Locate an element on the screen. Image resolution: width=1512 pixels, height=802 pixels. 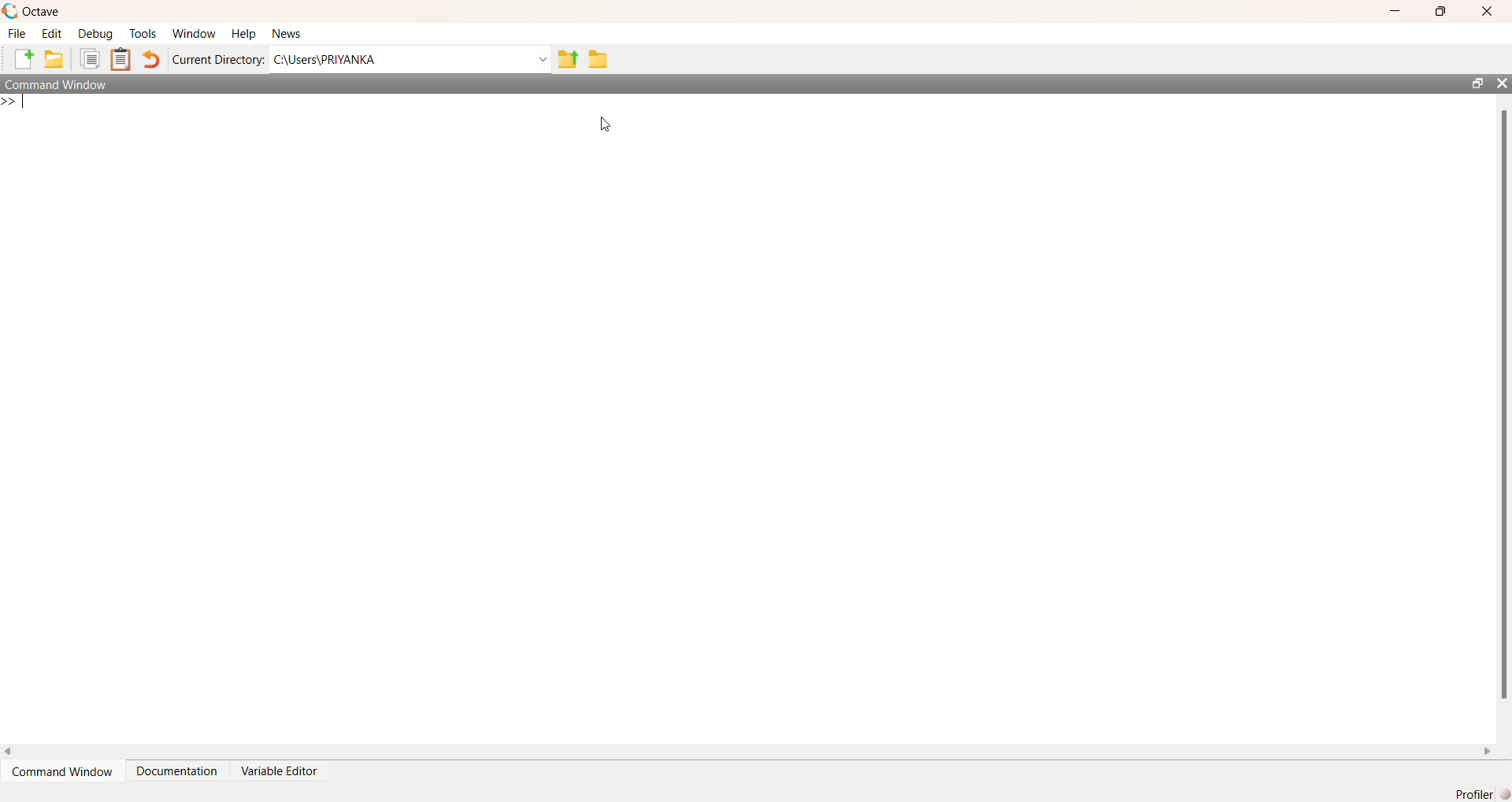
resize is located at coordinates (1440, 11).